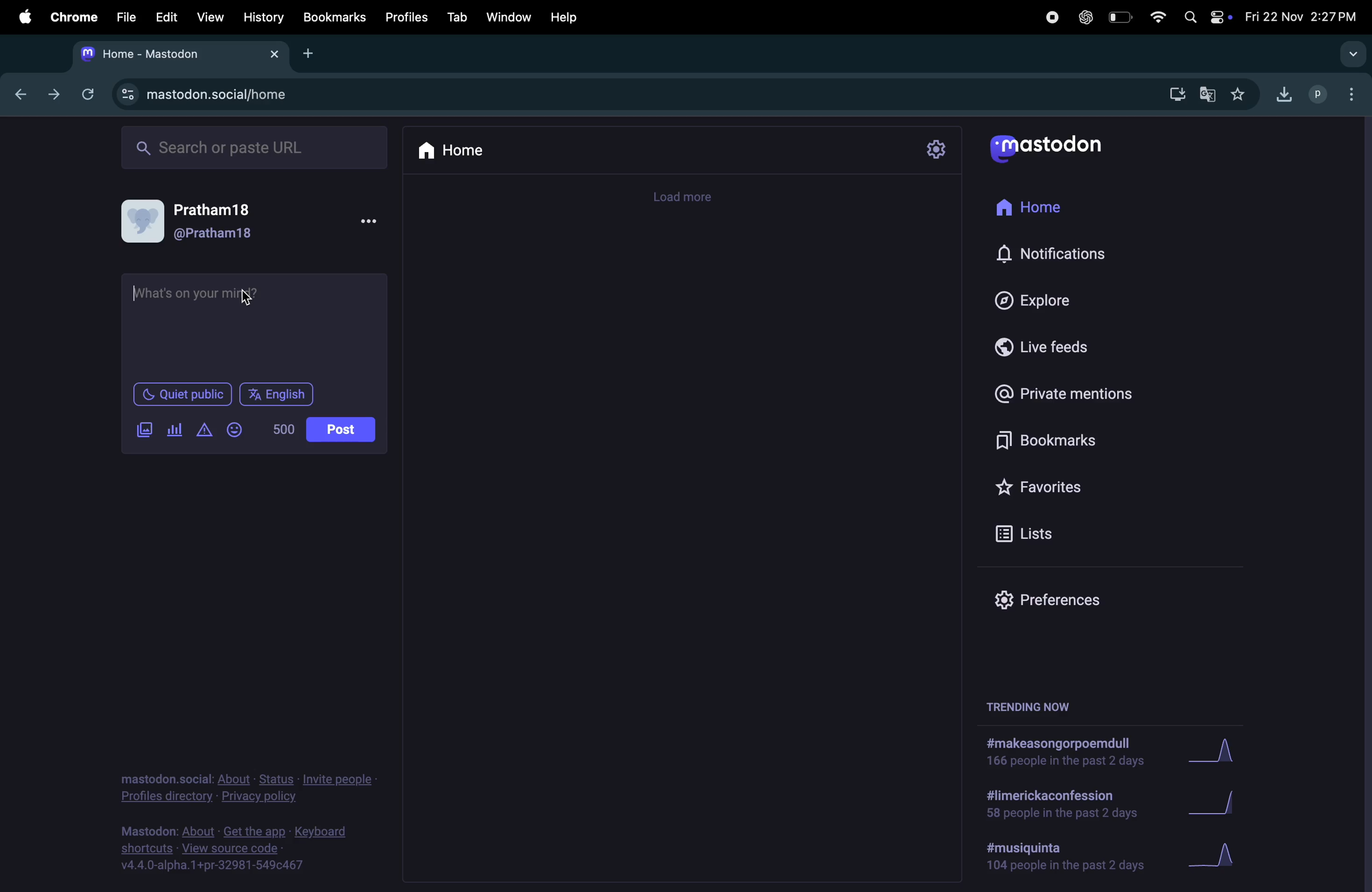 This screenshot has width=1372, height=892. Describe the element at coordinates (1108, 594) in the screenshot. I see `preference` at that location.